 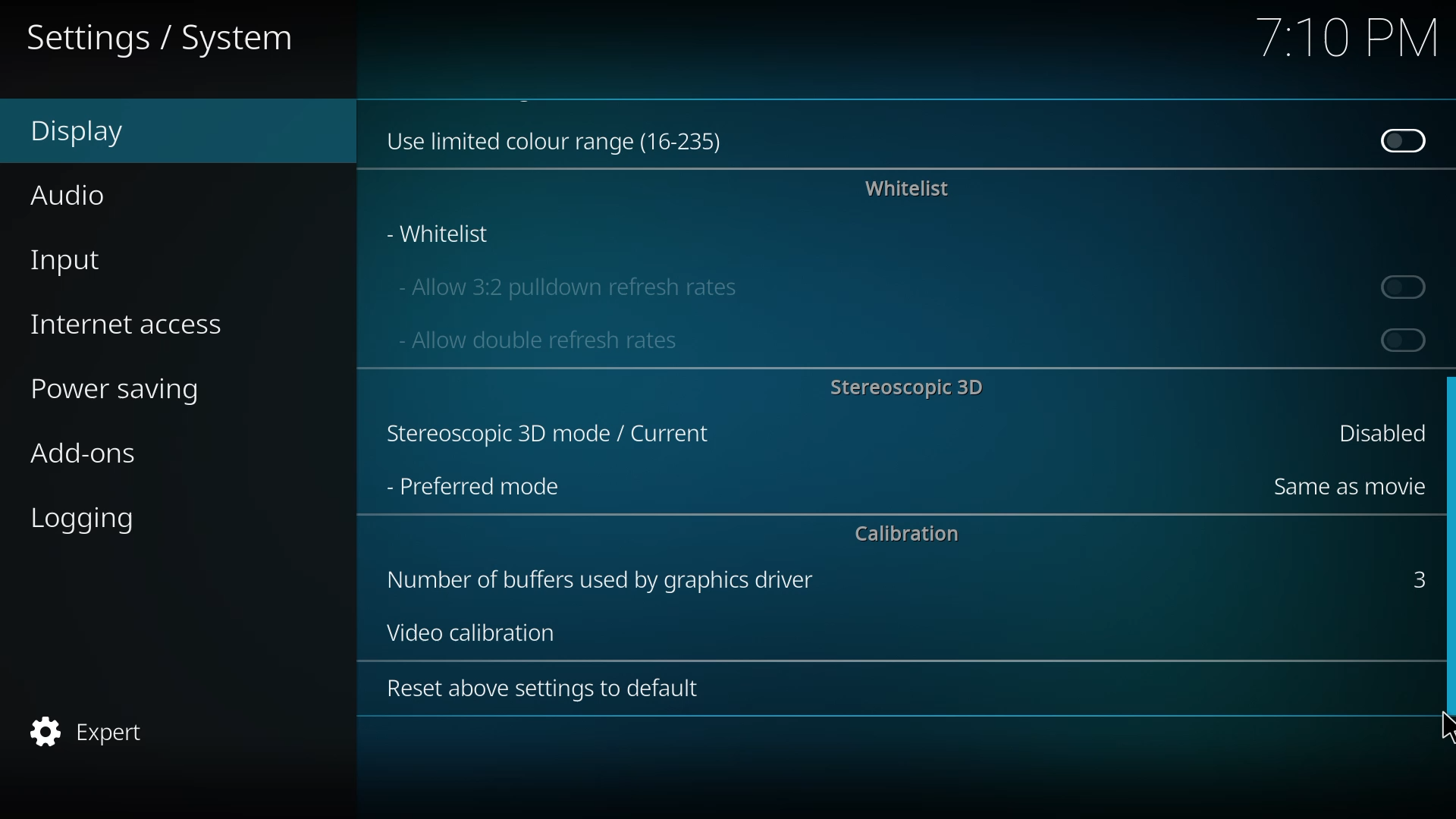 I want to click on expert, so click(x=89, y=733).